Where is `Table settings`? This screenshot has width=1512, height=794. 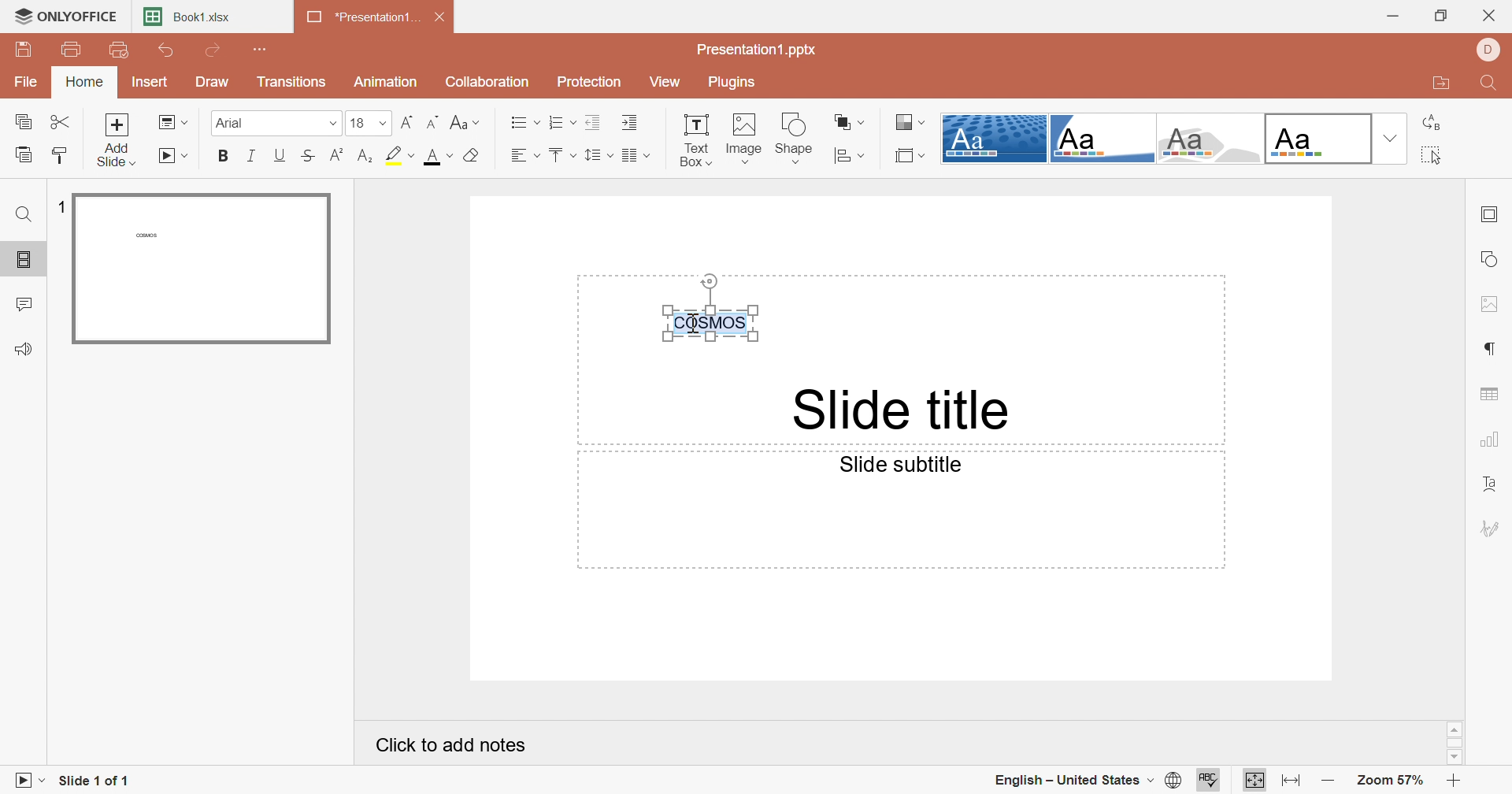 Table settings is located at coordinates (1489, 391).